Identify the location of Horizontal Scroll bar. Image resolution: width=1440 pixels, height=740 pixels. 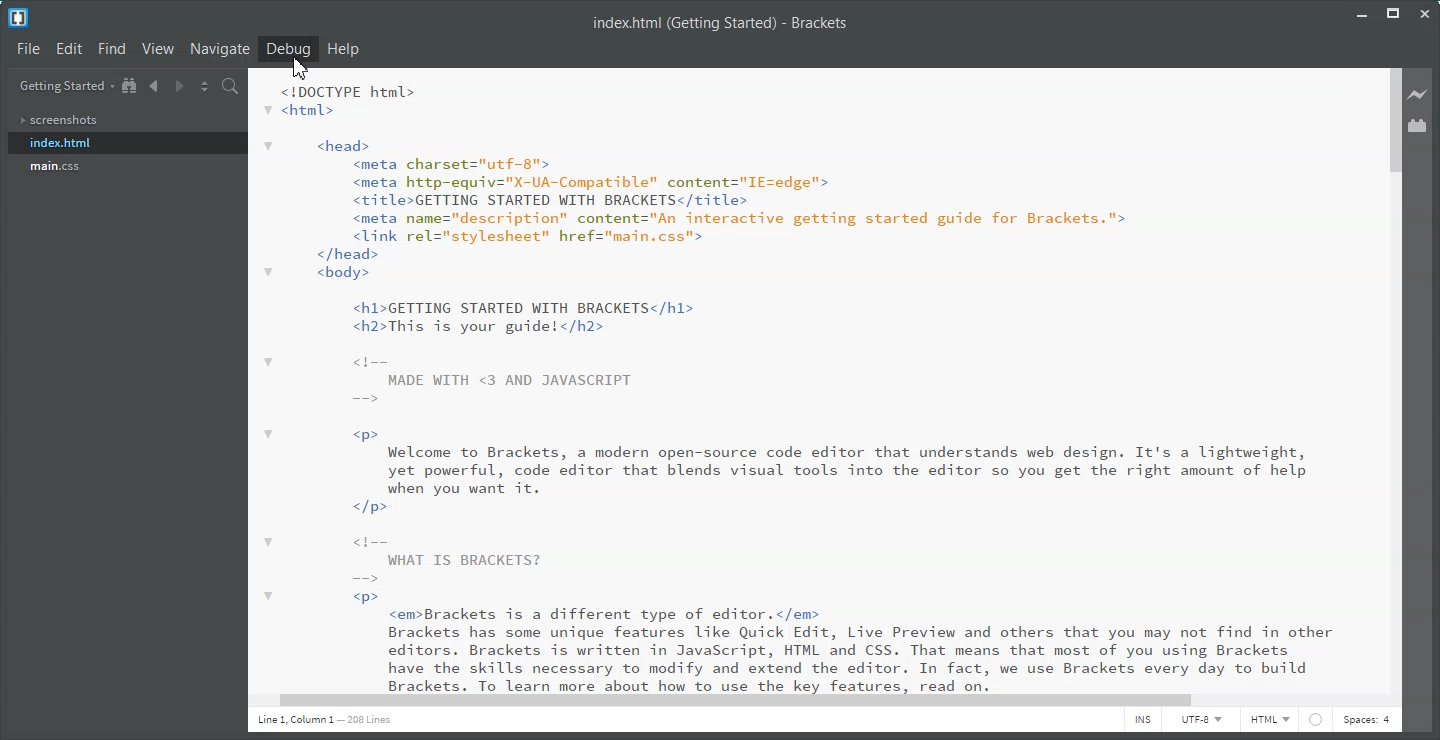
(814, 701).